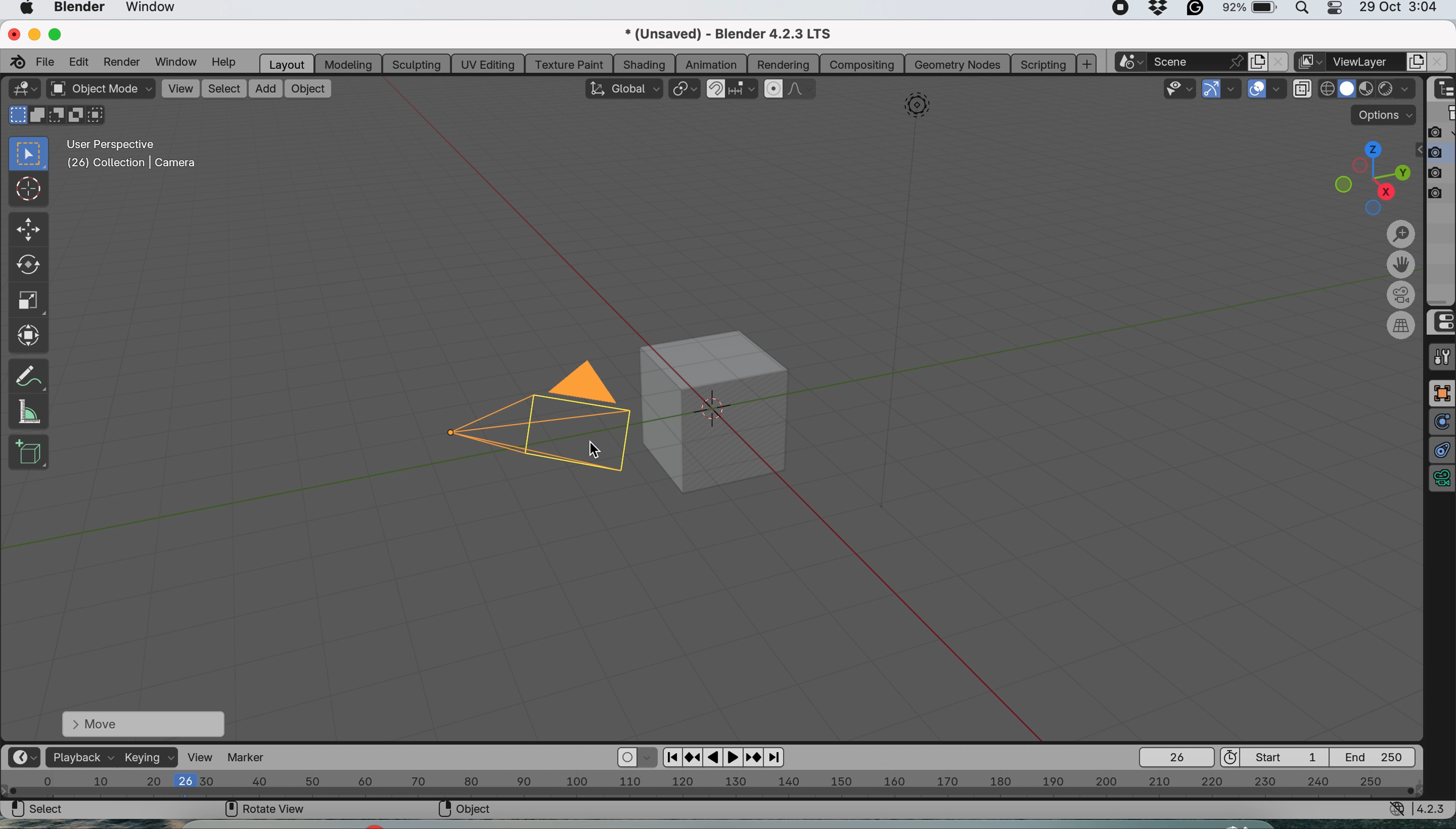 The image size is (1456, 829). Describe the element at coordinates (1256, 60) in the screenshot. I see `new scene` at that location.